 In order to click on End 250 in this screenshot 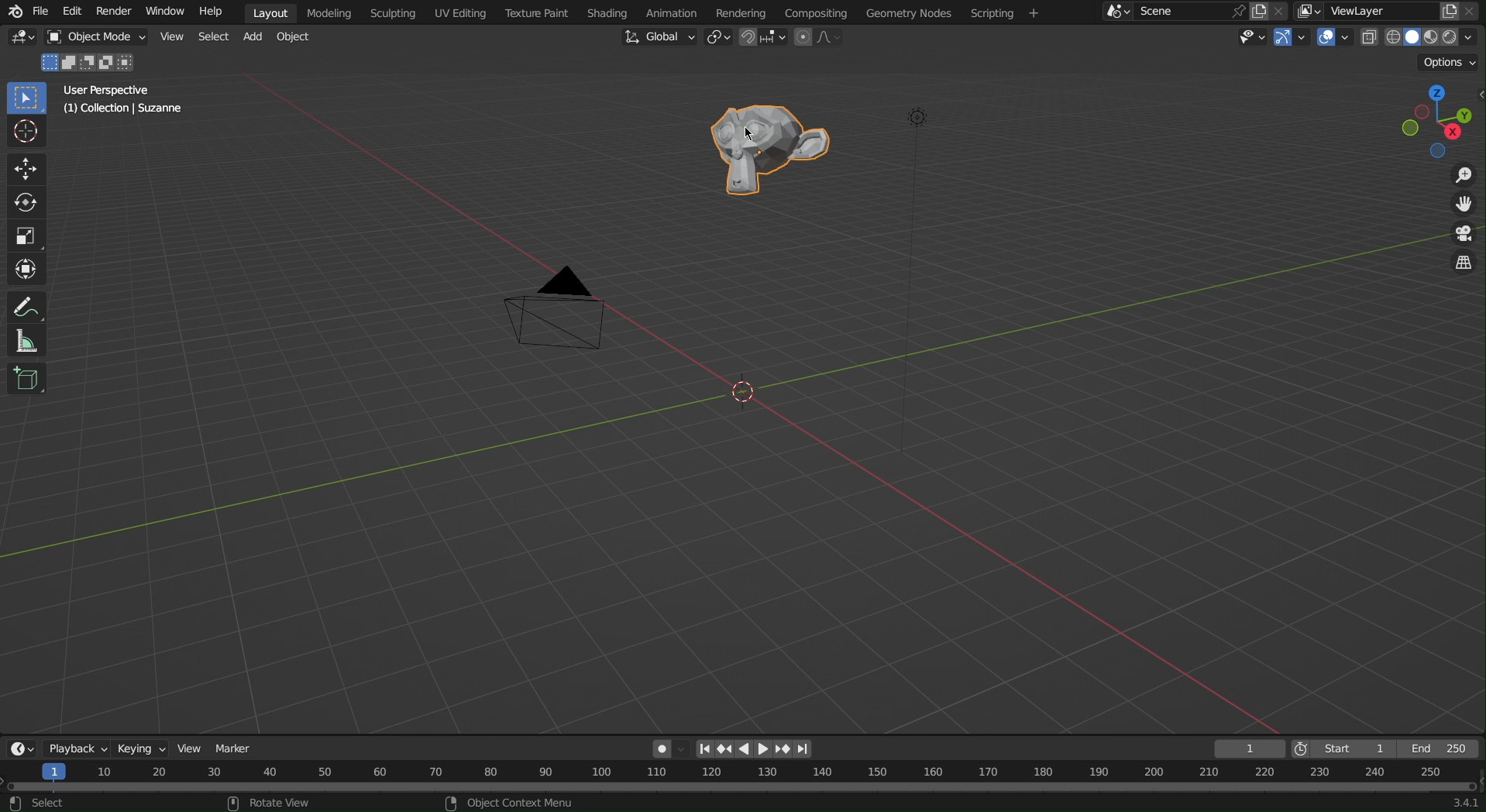, I will do `click(1438, 749)`.